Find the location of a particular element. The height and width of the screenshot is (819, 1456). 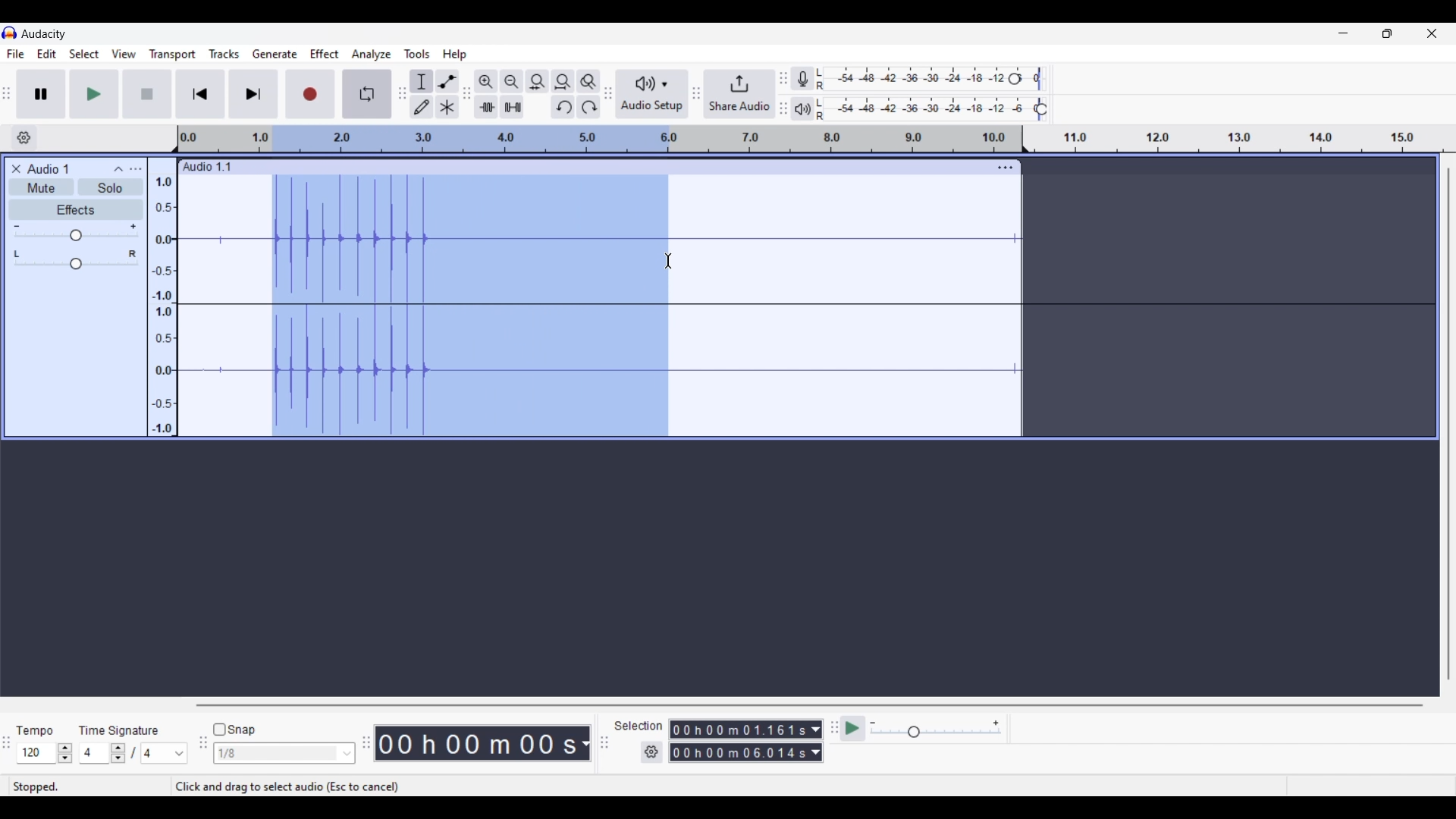

Show interface in a smaller tab is located at coordinates (1387, 33).